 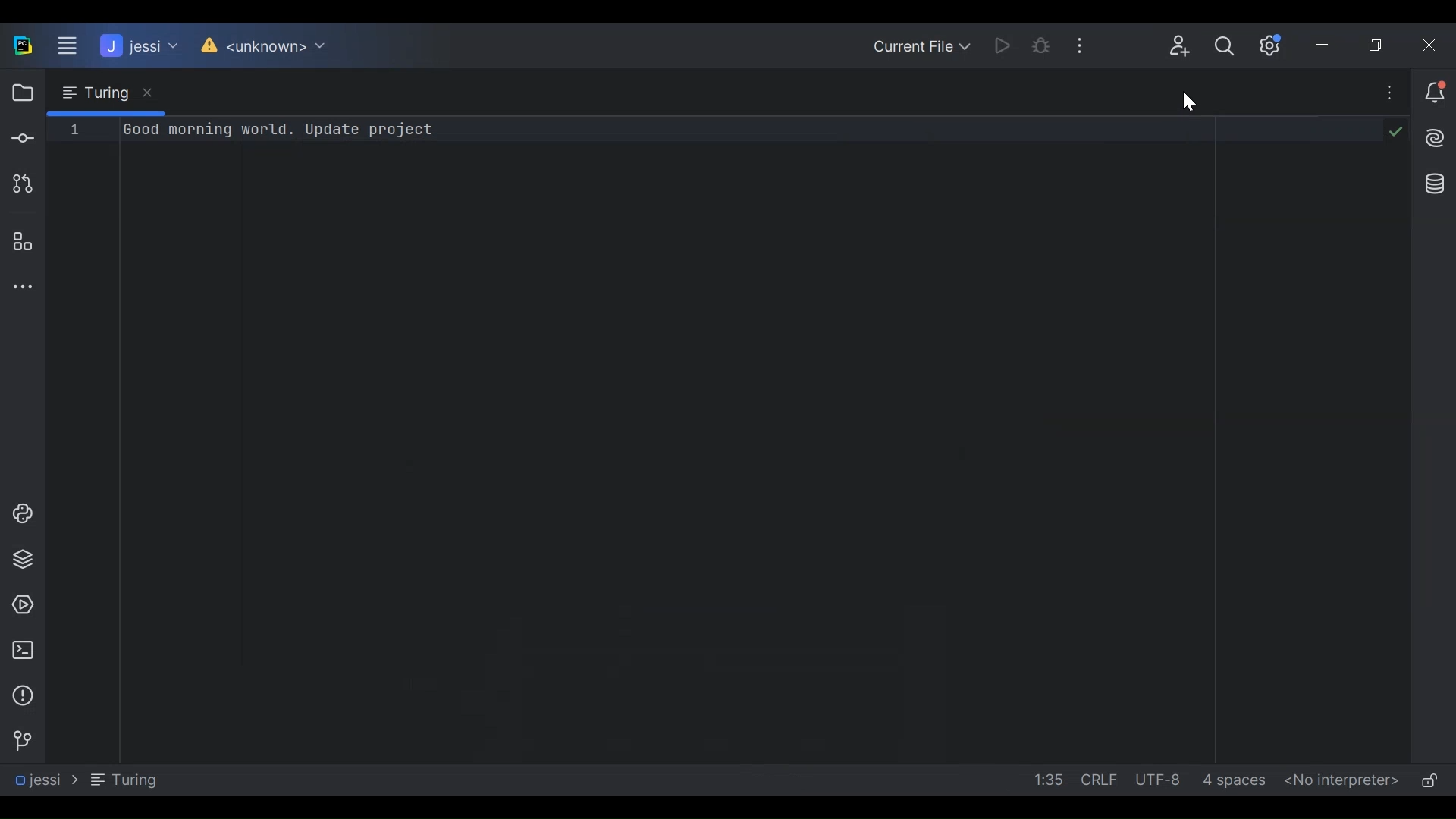 What do you see at coordinates (1330, 48) in the screenshot?
I see `Minimize` at bounding box center [1330, 48].